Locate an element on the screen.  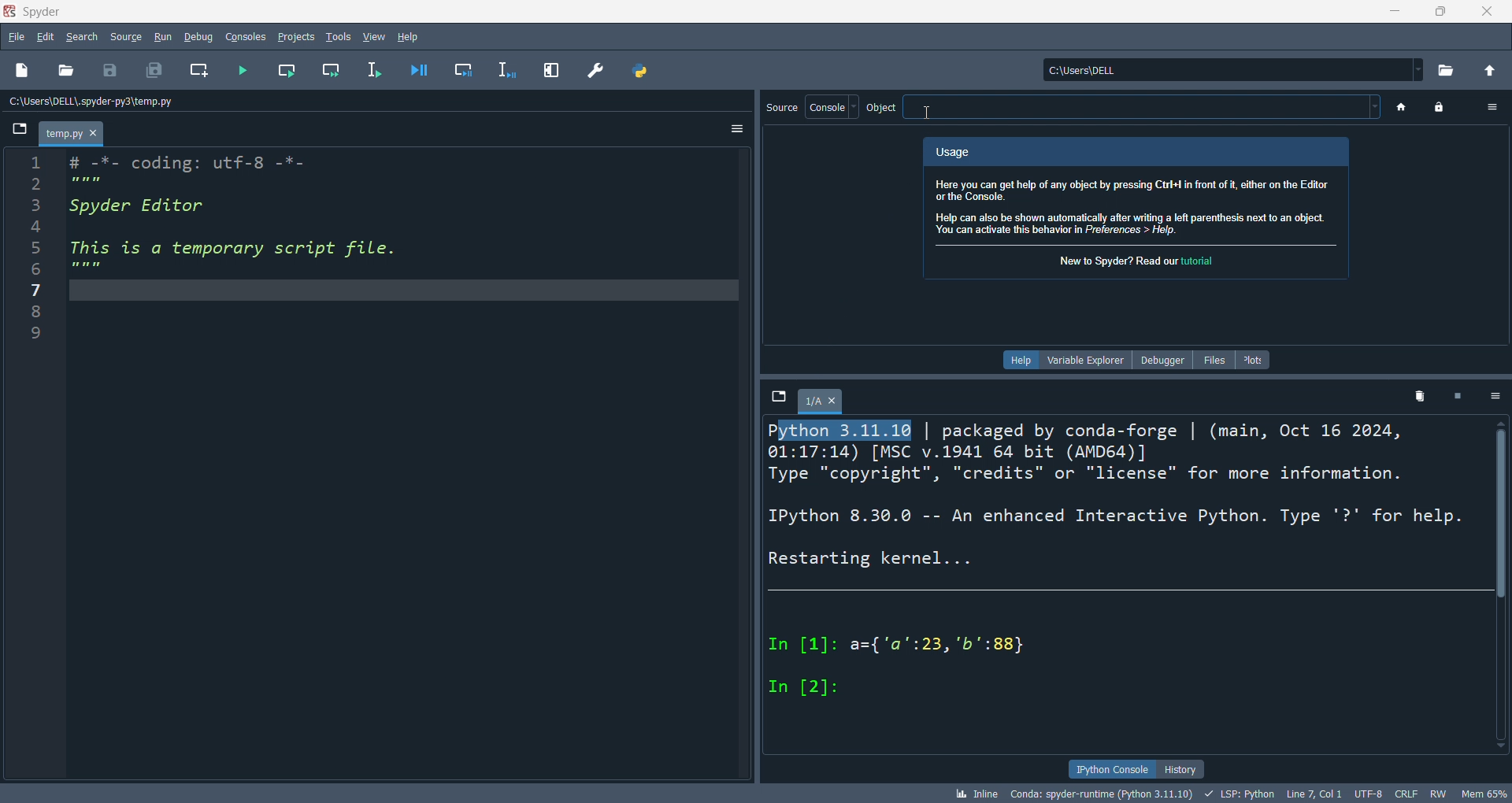
home is located at coordinates (1402, 108).